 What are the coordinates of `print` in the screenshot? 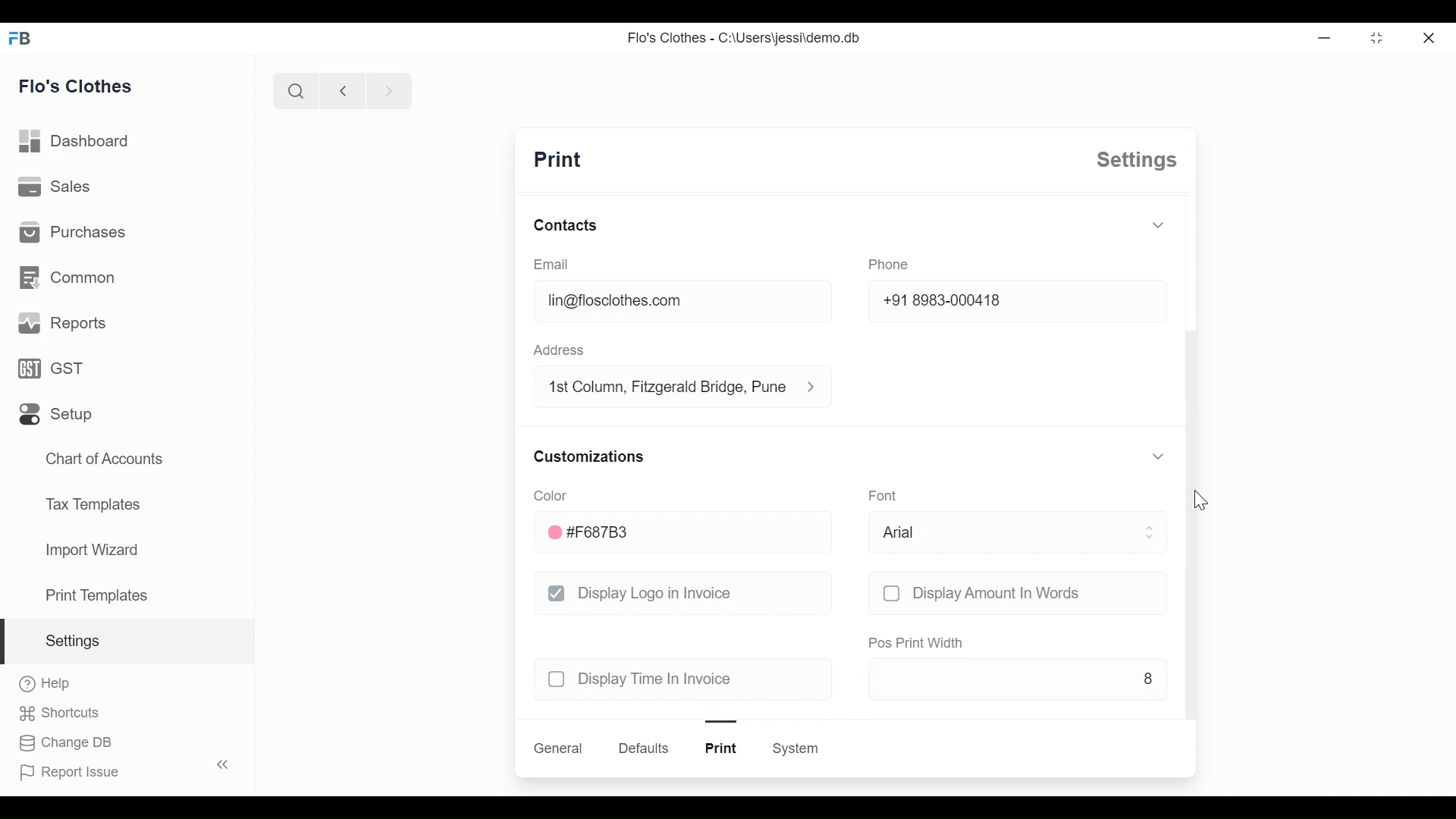 It's located at (722, 748).